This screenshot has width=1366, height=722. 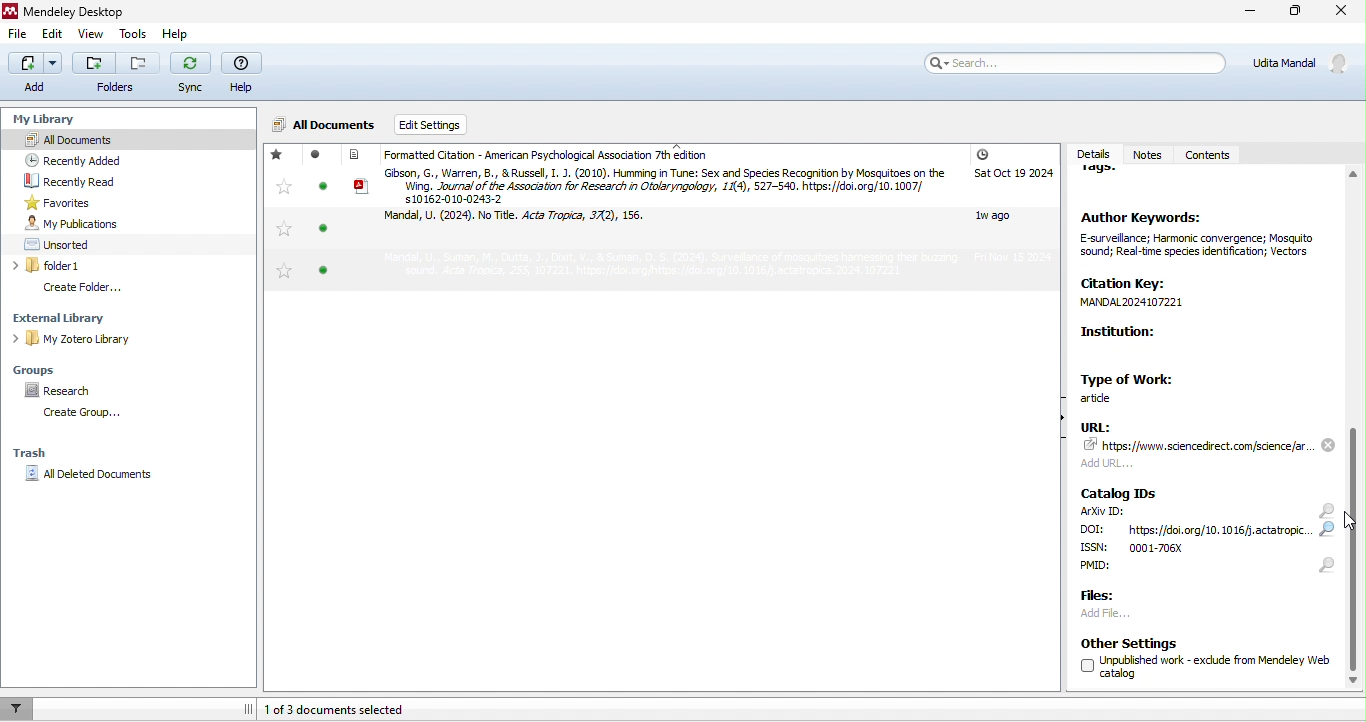 I want to click on my library, so click(x=41, y=115).